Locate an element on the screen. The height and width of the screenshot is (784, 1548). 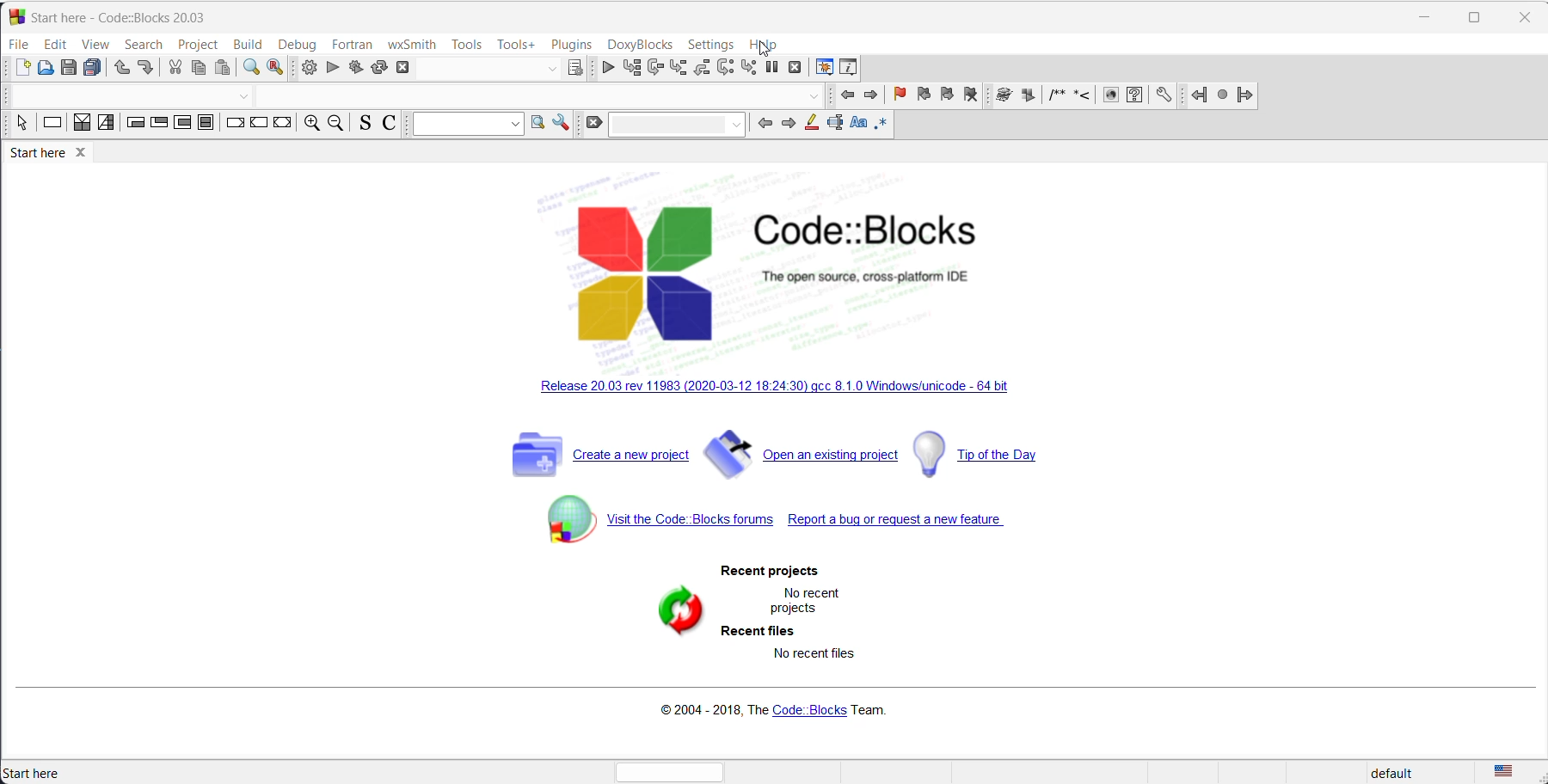
Doxyblock is located at coordinates (639, 44).